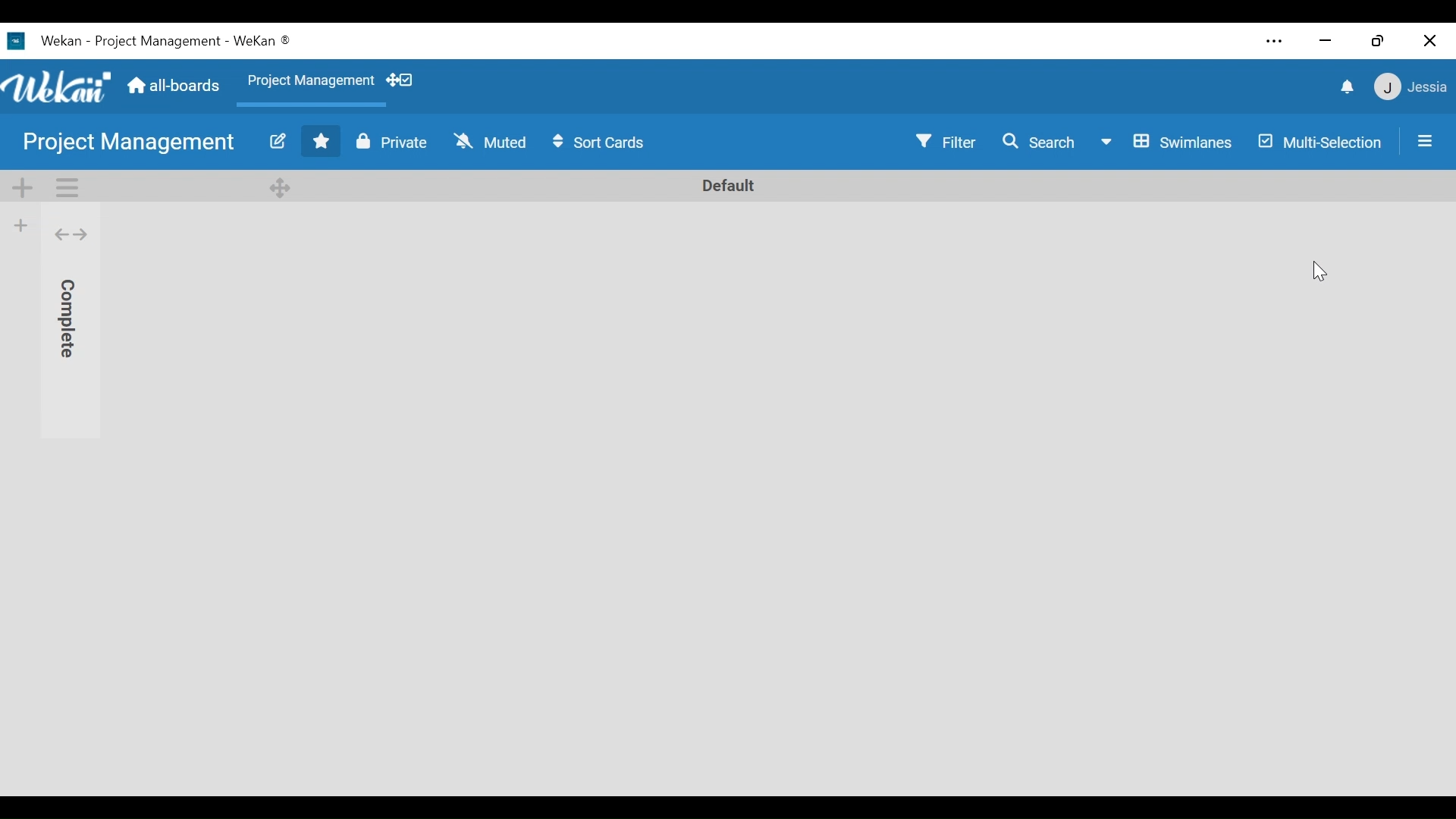 The image size is (1456, 819). I want to click on Logo, so click(58, 87).